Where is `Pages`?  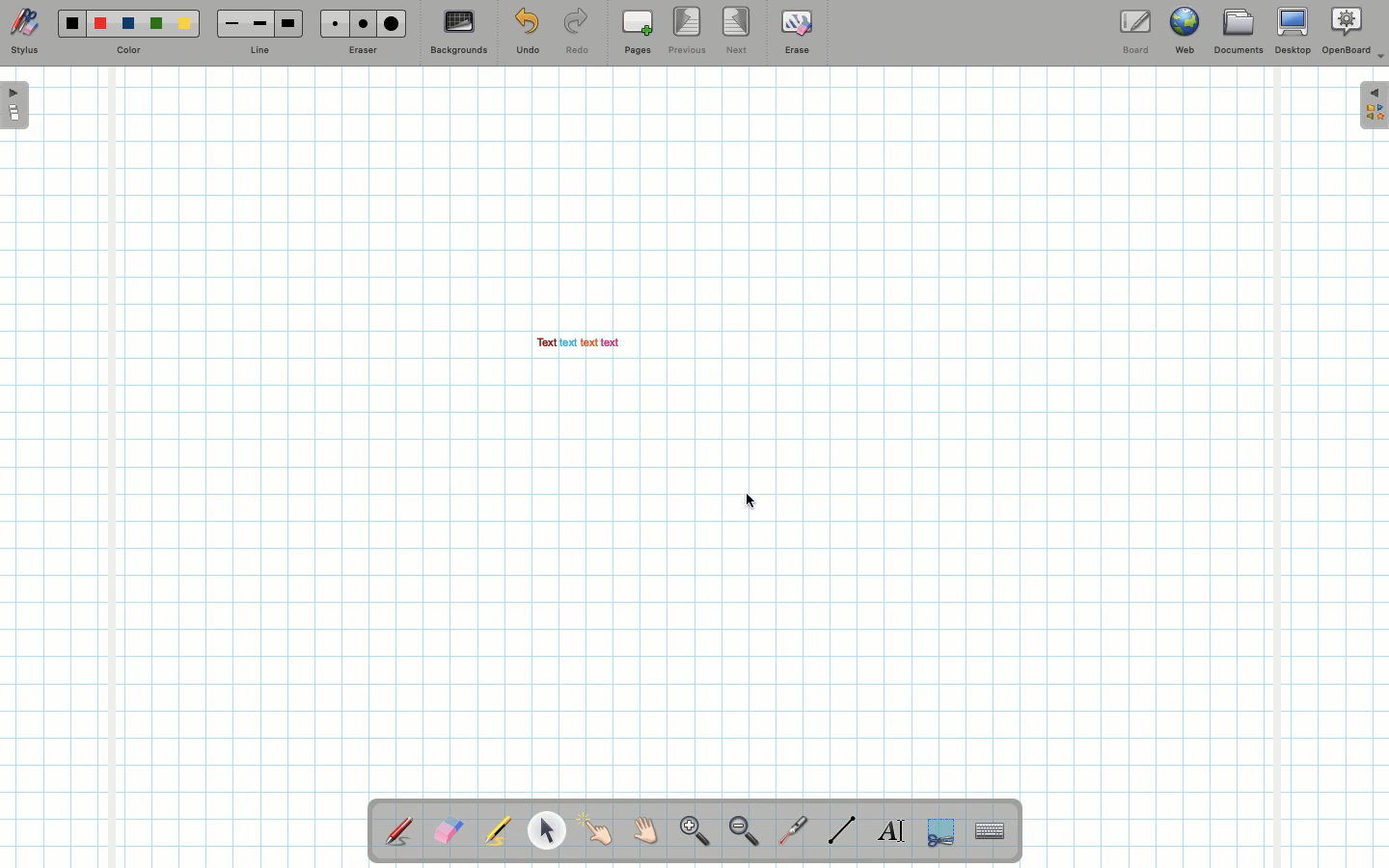
Pages is located at coordinates (638, 34).